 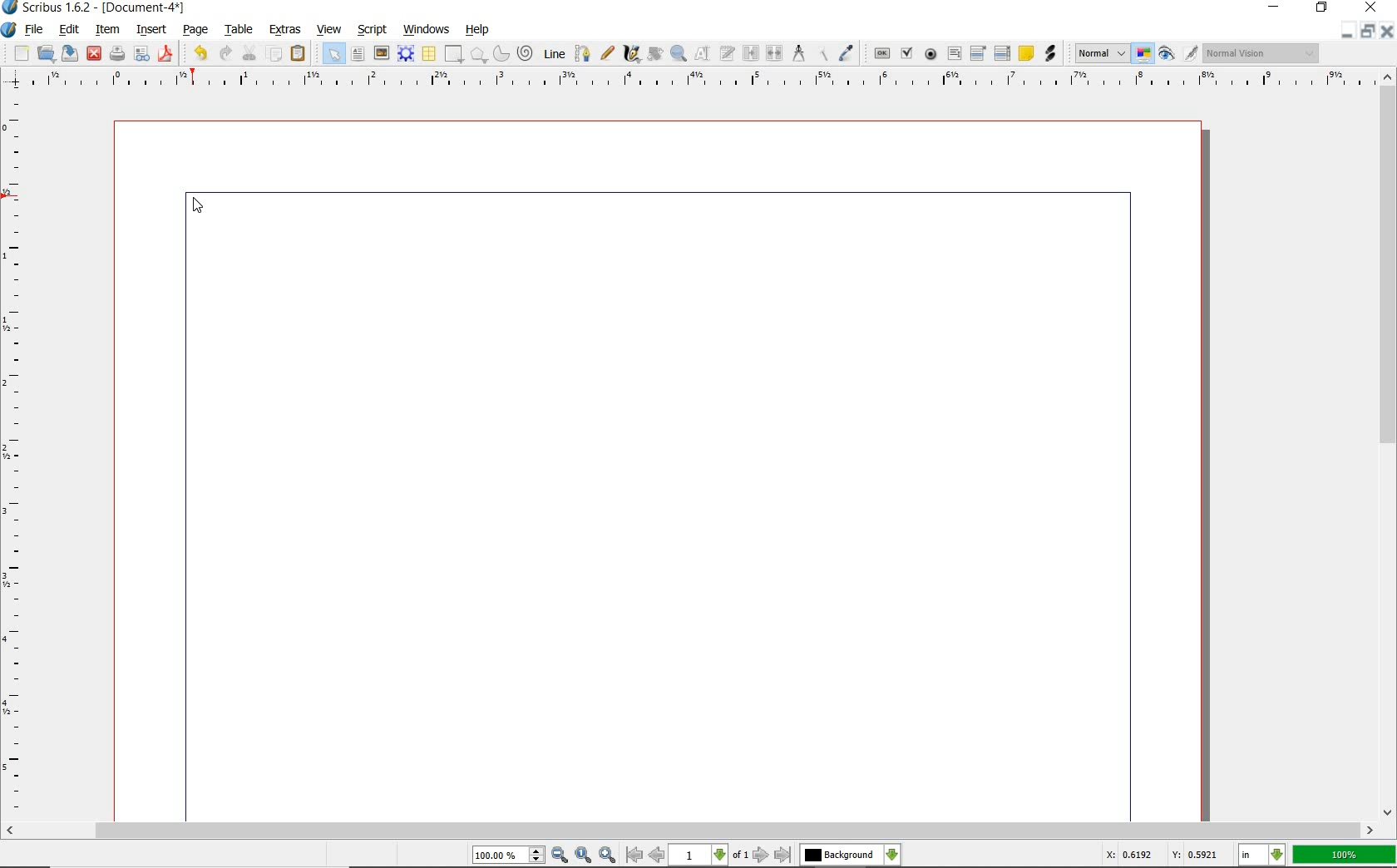 I want to click on help, so click(x=479, y=31).